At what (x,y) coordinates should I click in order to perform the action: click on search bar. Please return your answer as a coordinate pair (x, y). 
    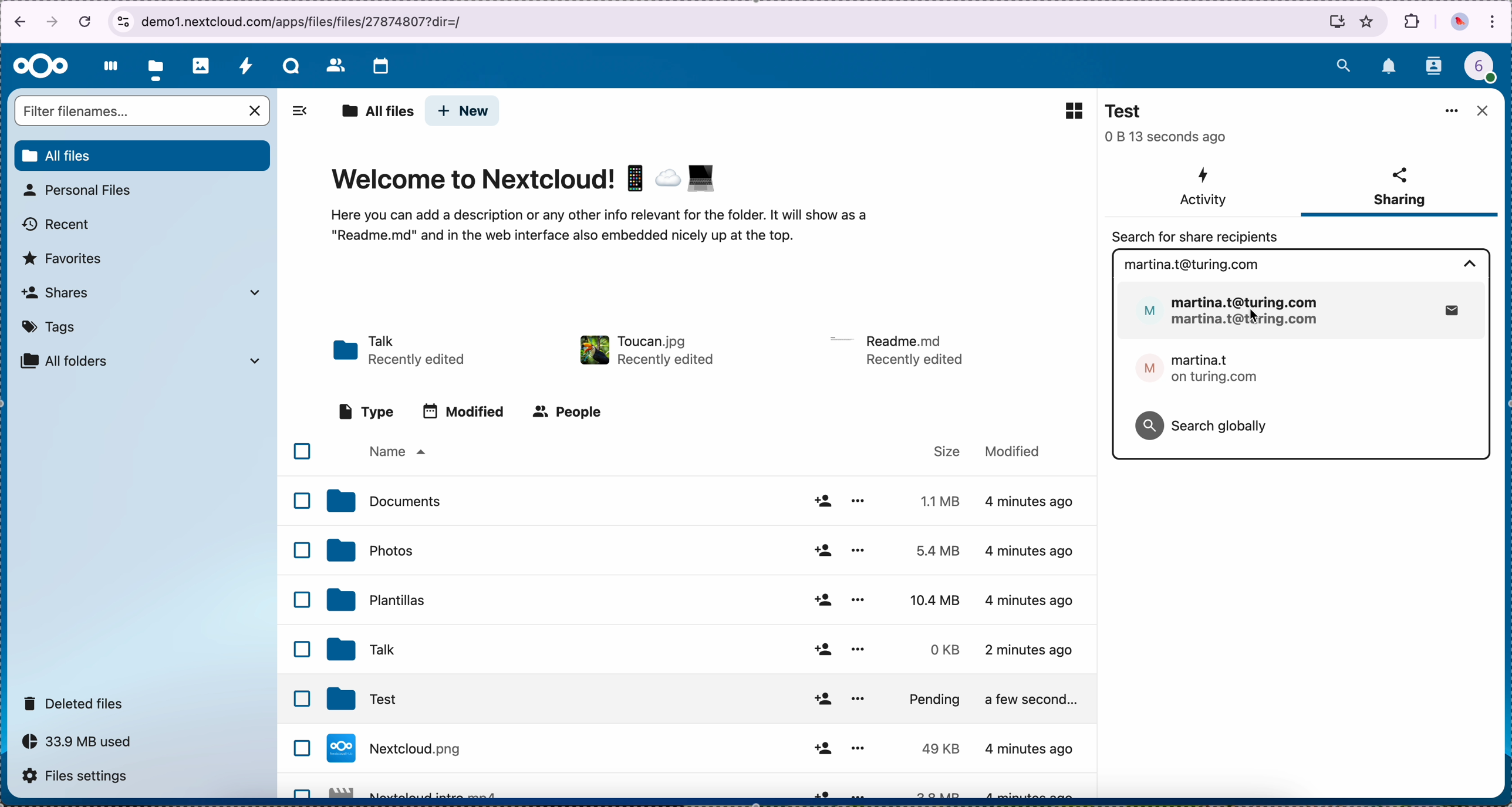
    Looking at the image, I should click on (144, 112).